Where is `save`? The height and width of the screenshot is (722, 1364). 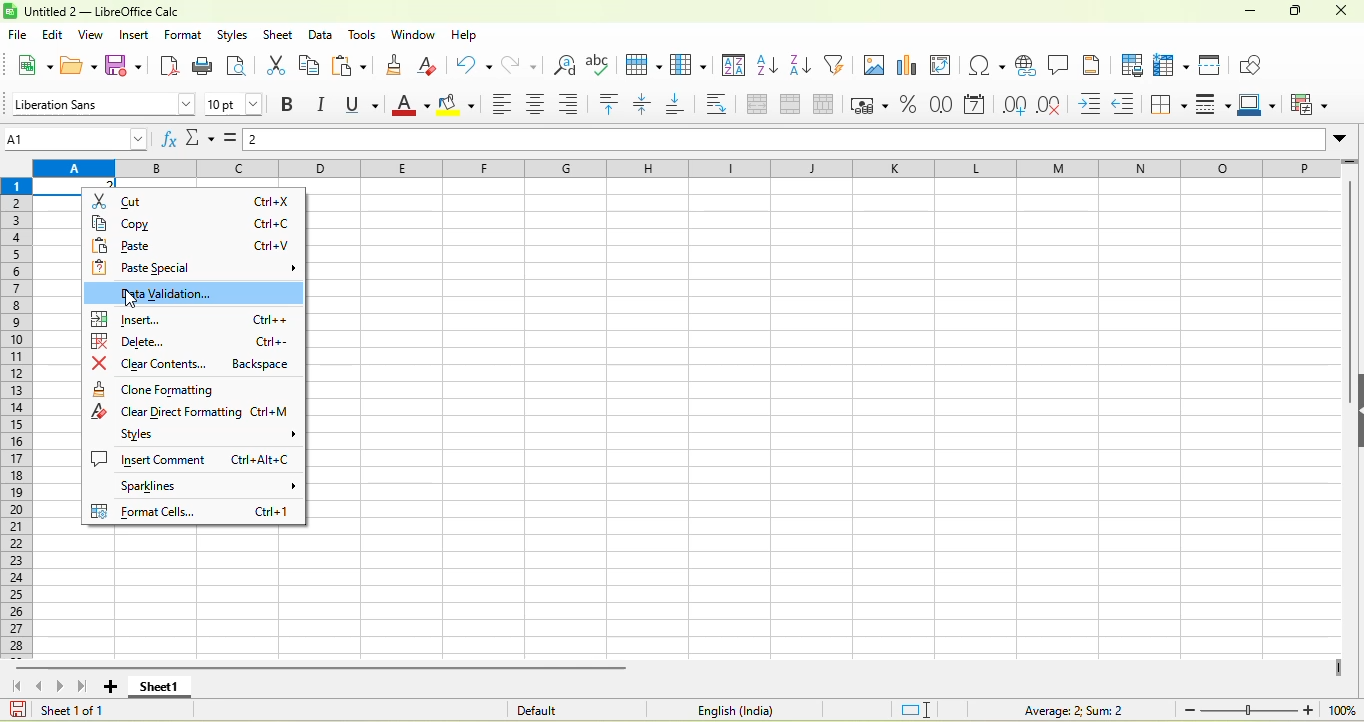 save is located at coordinates (130, 65).